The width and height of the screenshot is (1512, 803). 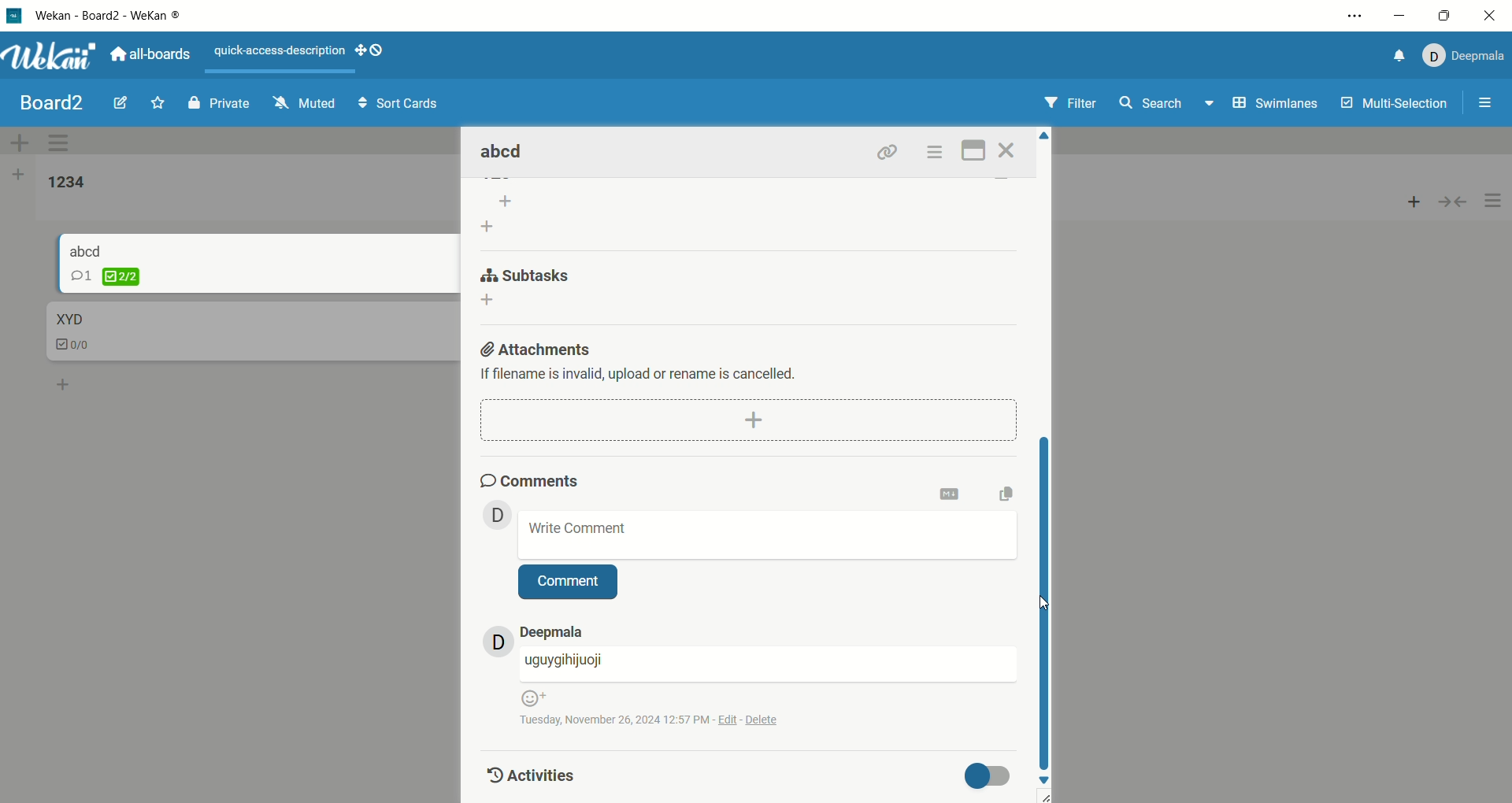 What do you see at coordinates (1395, 58) in the screenshot?
I see `notification` at bounding box center [1395, 58].